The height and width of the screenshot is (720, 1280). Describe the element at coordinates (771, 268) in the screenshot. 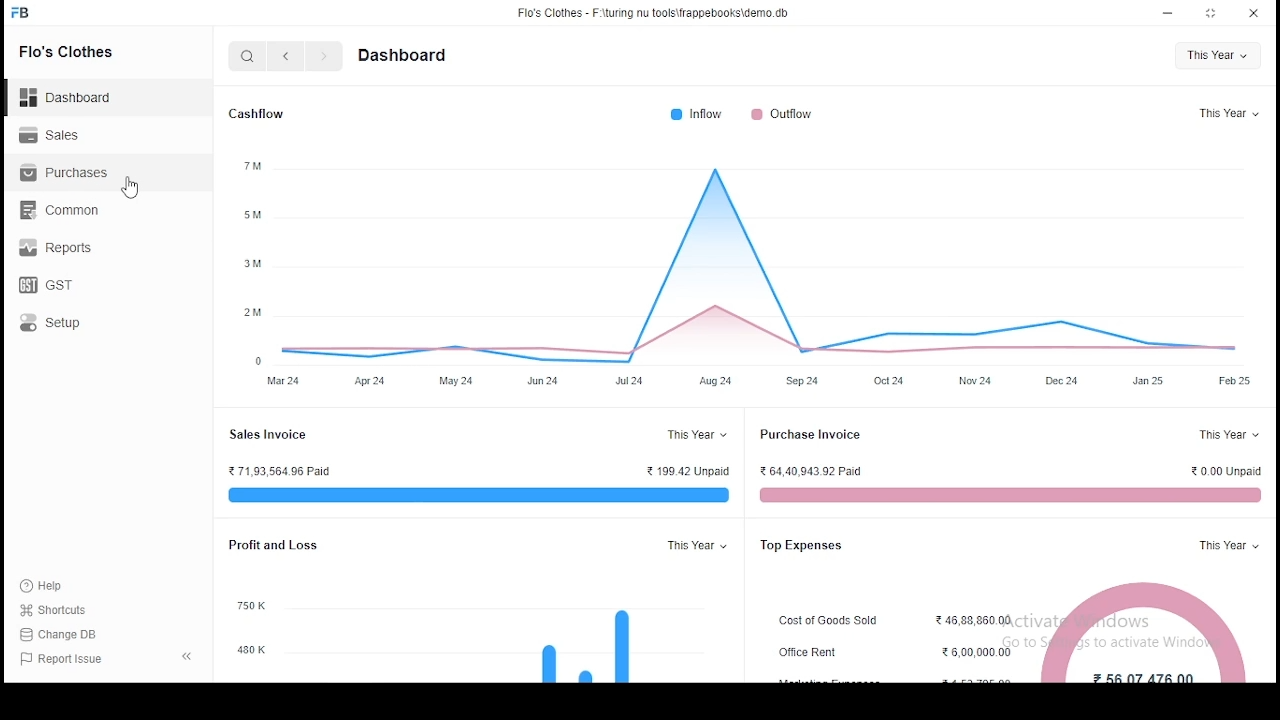

I see `graph` at that location.